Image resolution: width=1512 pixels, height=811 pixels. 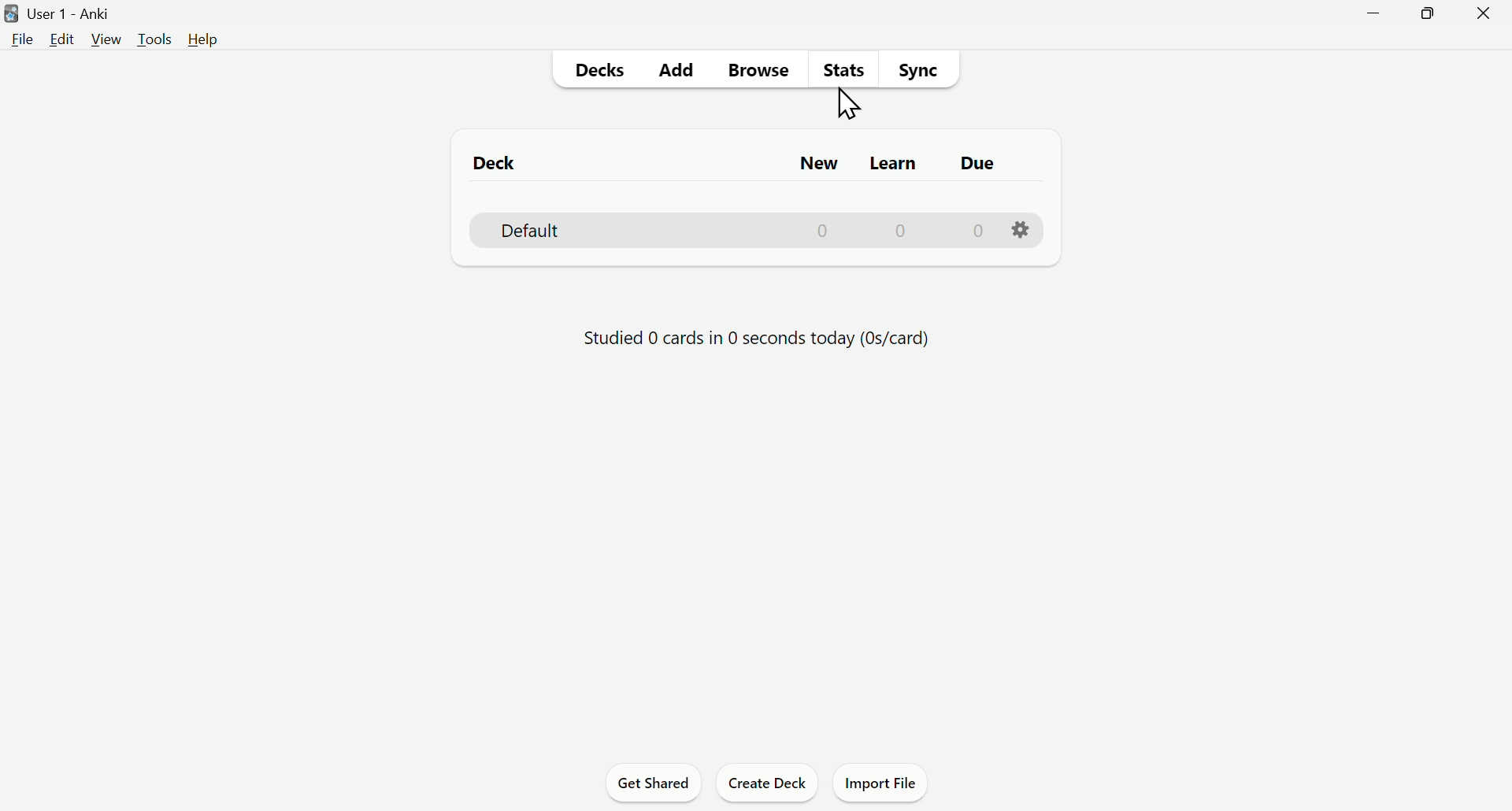 I want to click on Create Deck, so click(x=773, y=785).